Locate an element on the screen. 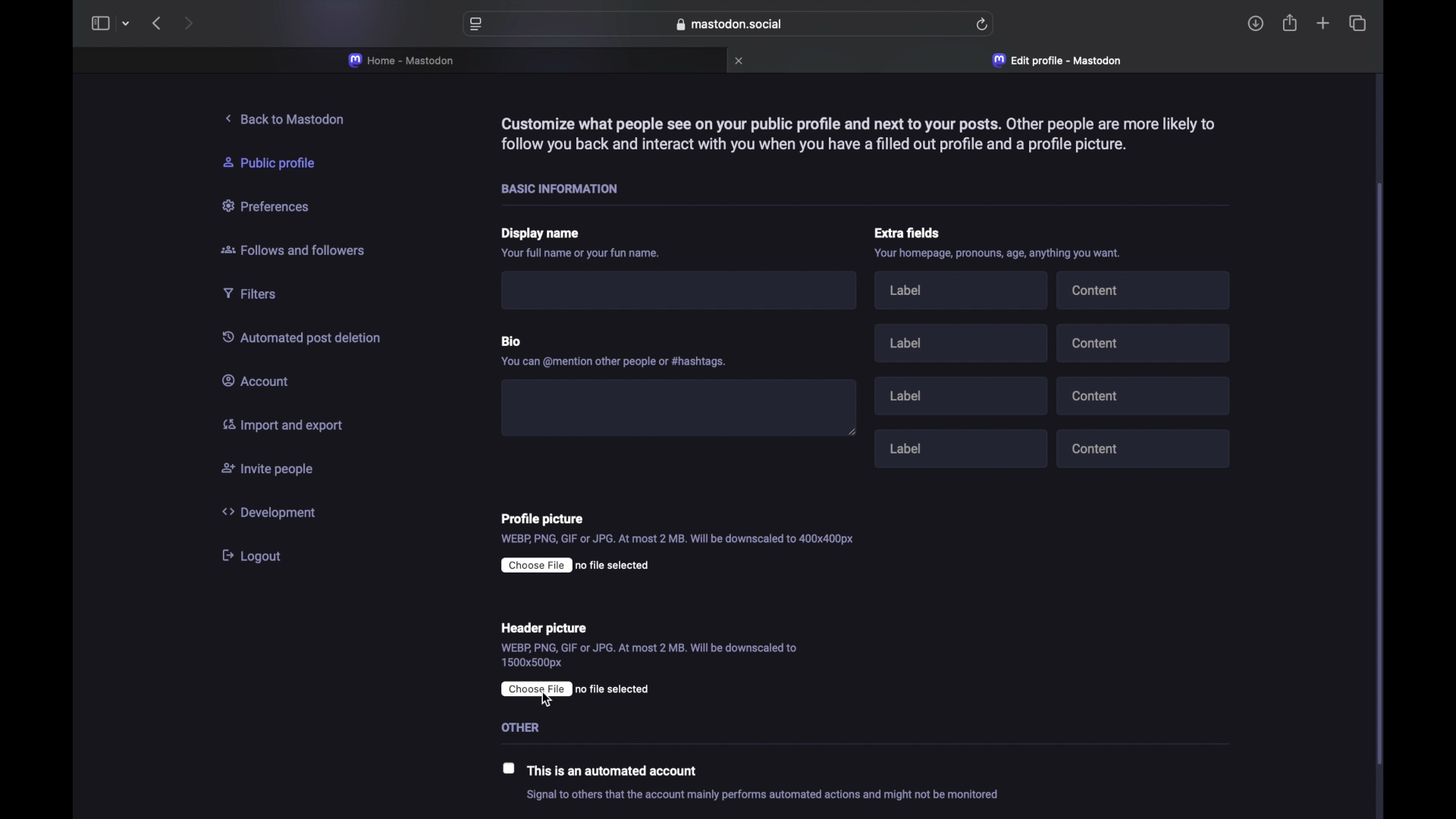 This screenshot has width=1456, height=819. sidebar is located at coordinates (99, 24).